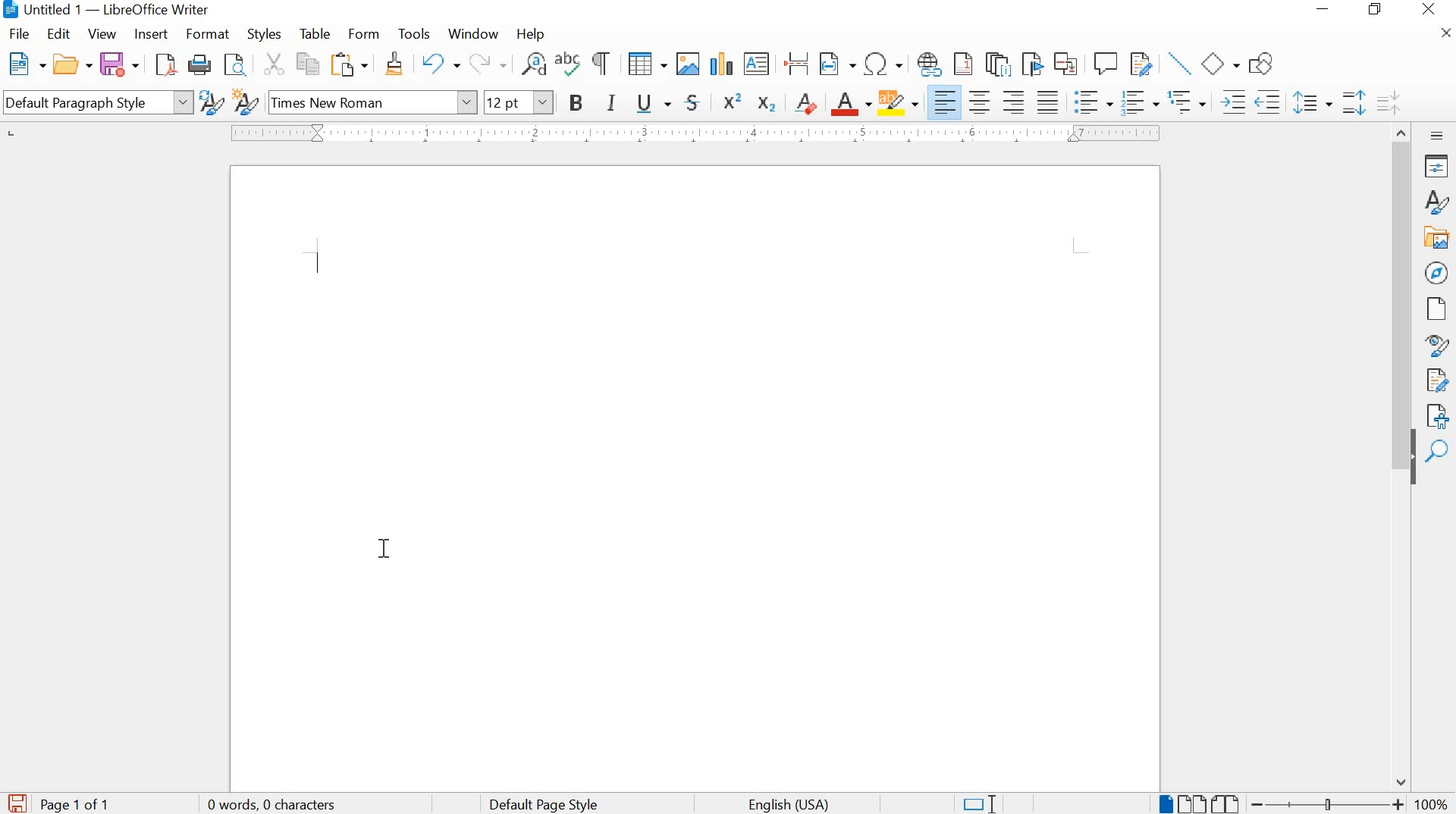 The image size is (1456, 814). What do you see at coordinates (1095, 102) in the screenshot?
I see `TOGGLE UNORDERED LIST` at bounding box center [1095, 102].